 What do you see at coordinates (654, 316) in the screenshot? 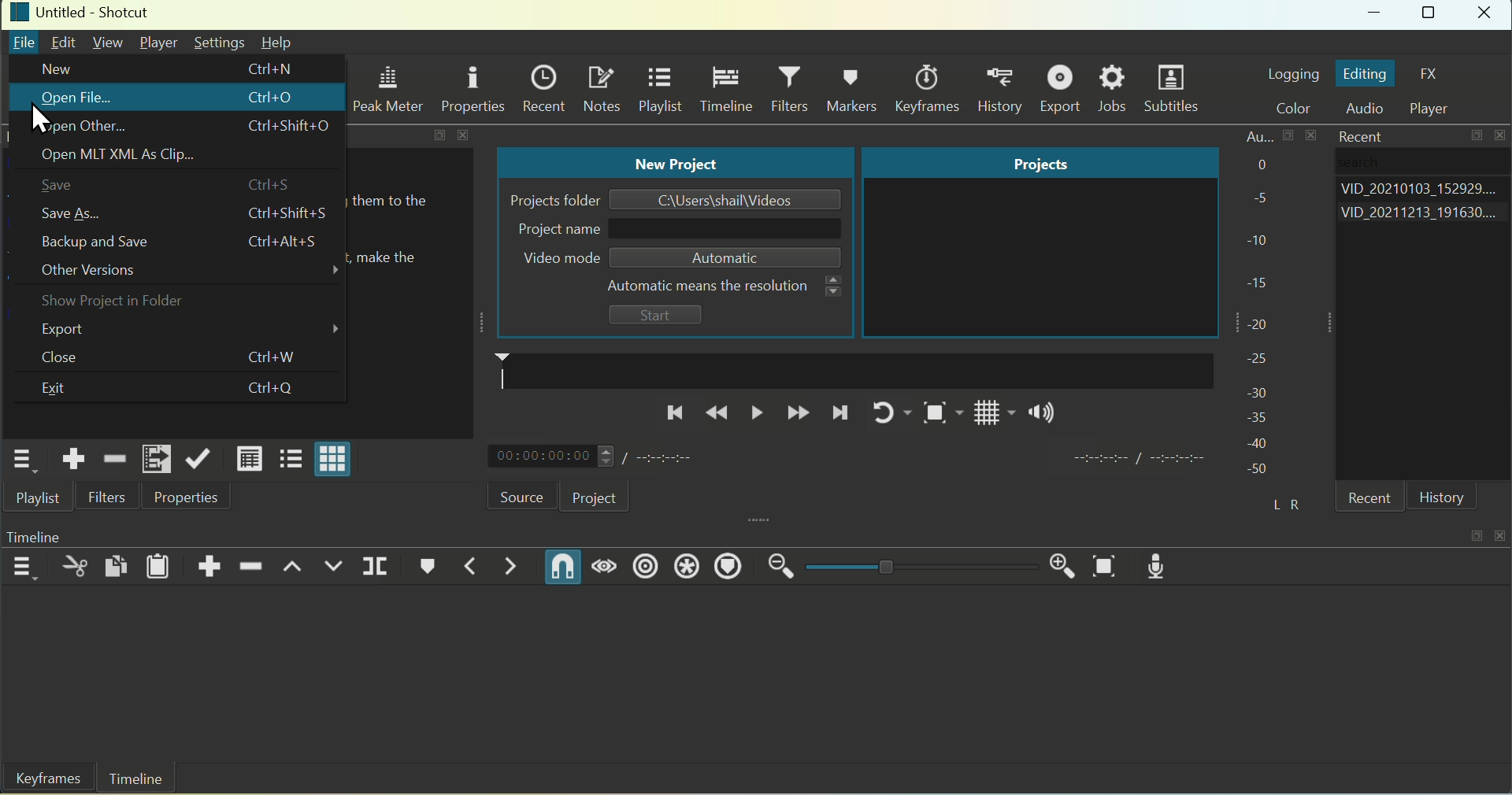
I see `Start` at bounding box center [654, 316].